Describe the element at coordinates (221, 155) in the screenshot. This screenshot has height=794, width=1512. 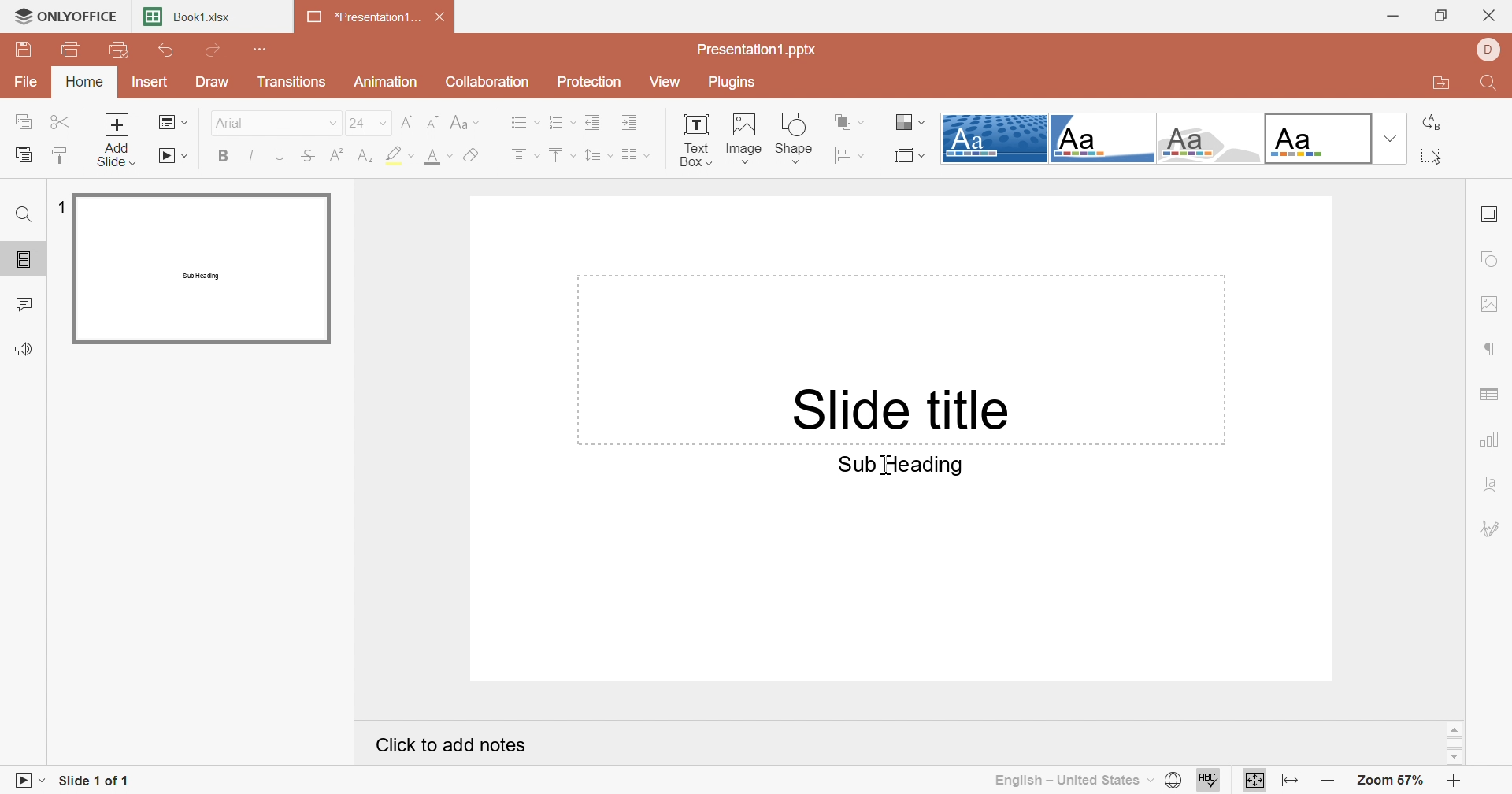
I see `Bold` at that location.